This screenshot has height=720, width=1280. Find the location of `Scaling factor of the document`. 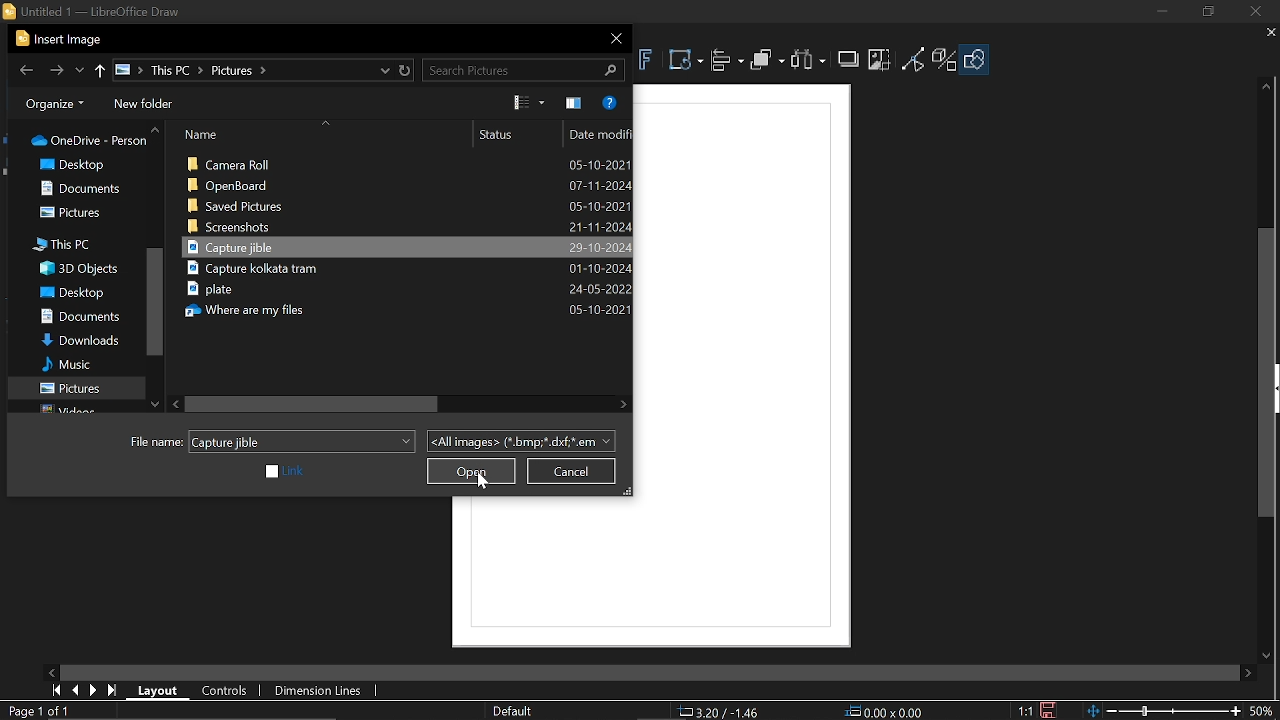

Scaling factor of the document is located at coordinates (1027, 711).